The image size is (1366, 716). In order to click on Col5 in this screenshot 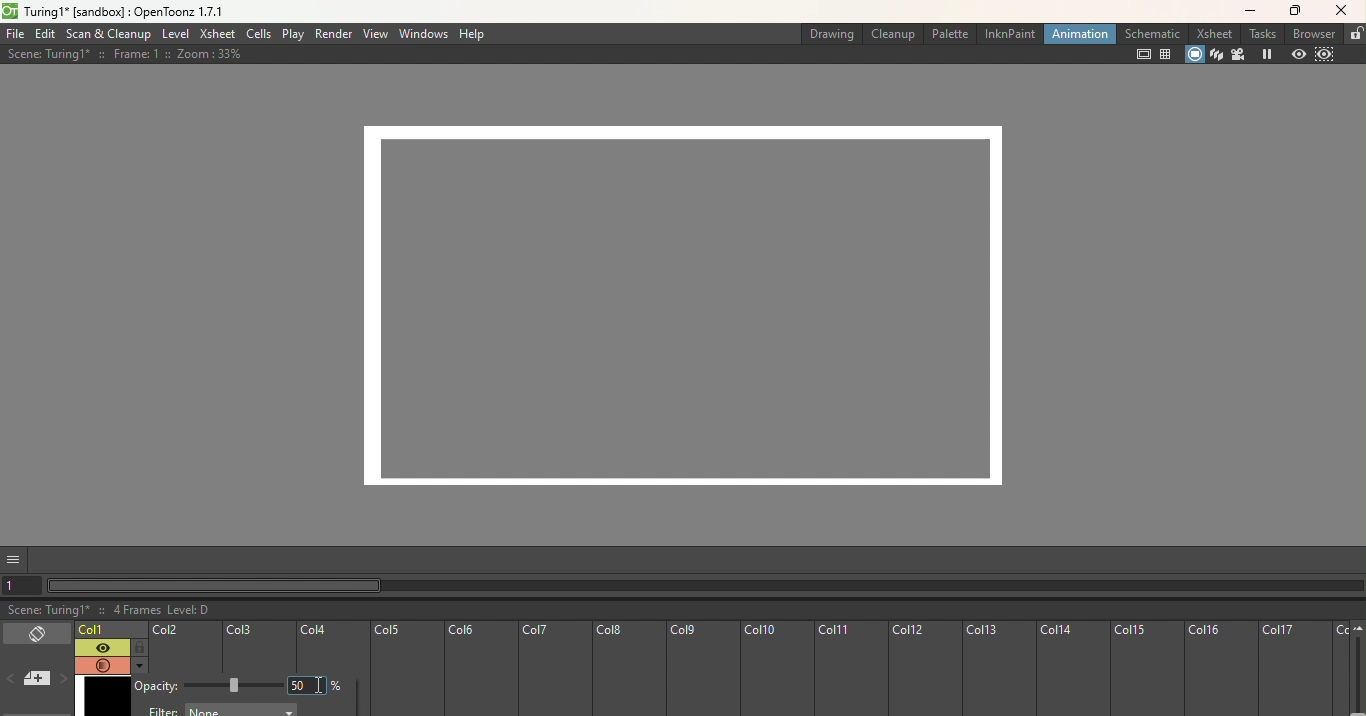, I will do `click(405, 670)`.